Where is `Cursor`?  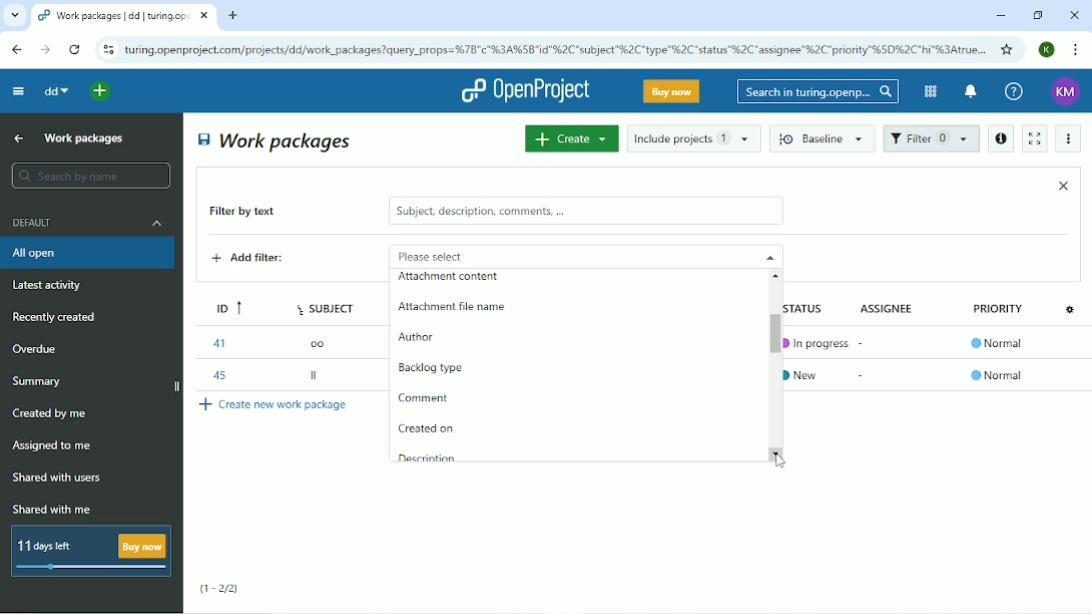
Cursor is located at coordinates (780, 461).